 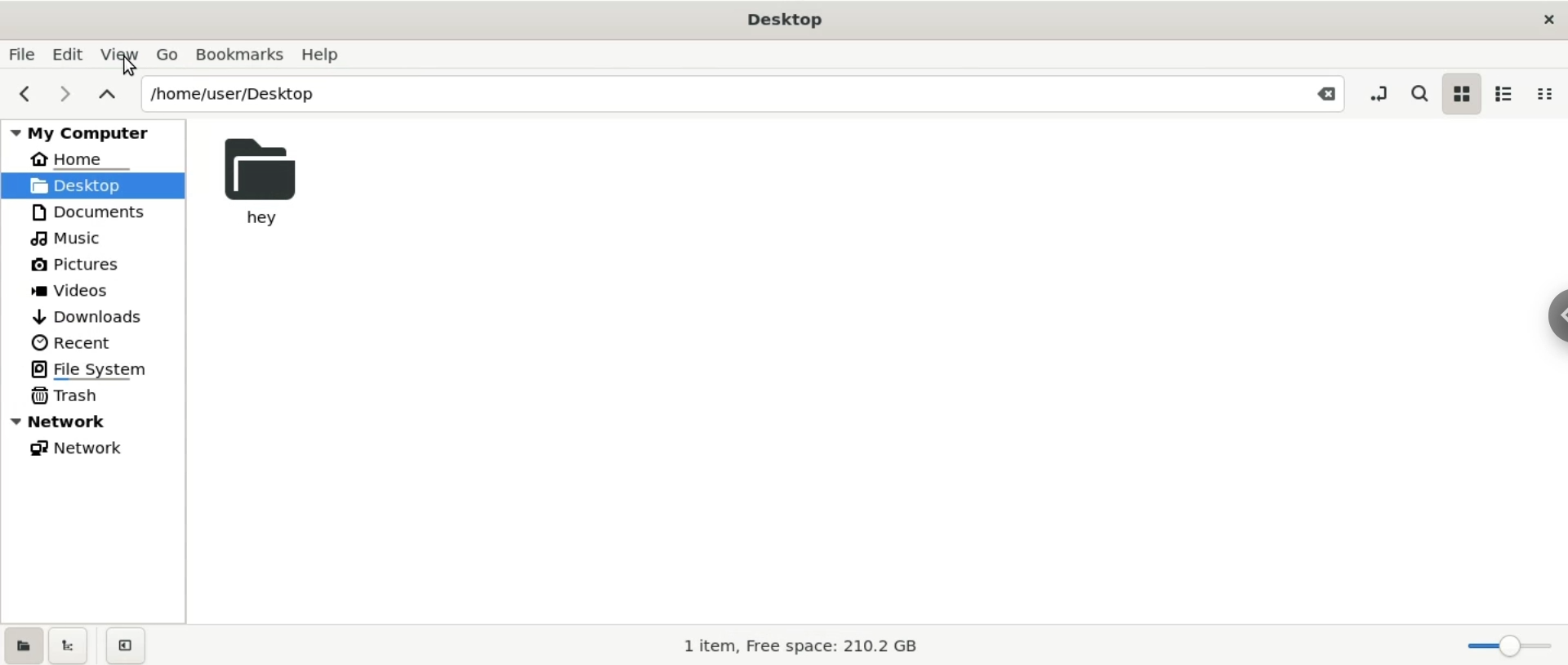 What do you see at coordinates (21, 645) in the screenshot?
I see `show places` at bounding box center [21, 645].